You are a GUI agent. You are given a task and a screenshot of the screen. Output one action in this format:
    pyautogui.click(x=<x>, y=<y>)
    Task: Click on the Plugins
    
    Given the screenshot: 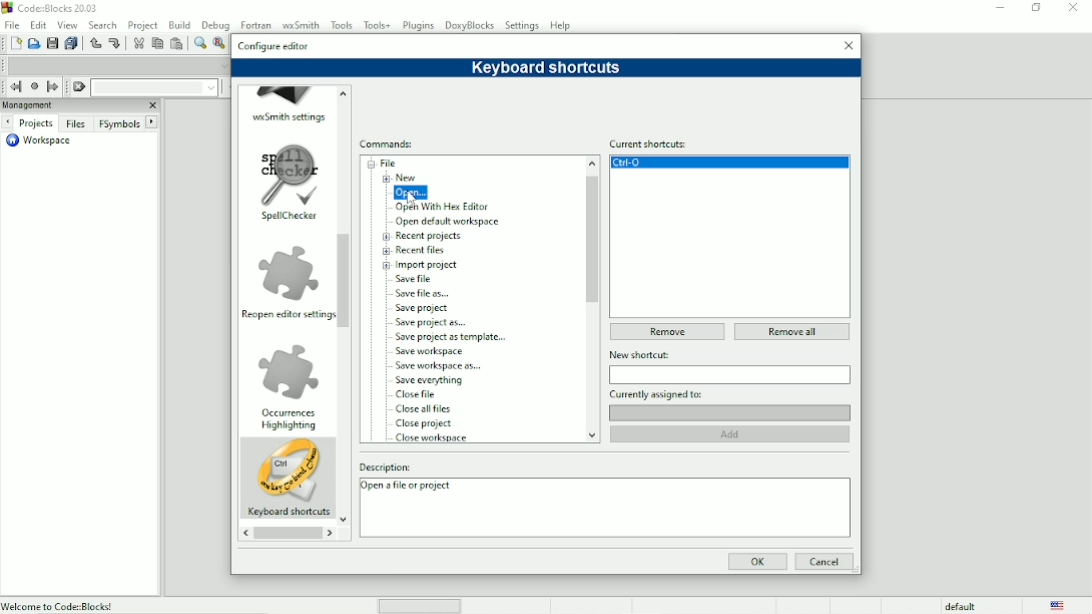 What is the action you would take?
    pyautogui.click(x=420, y=25)
    